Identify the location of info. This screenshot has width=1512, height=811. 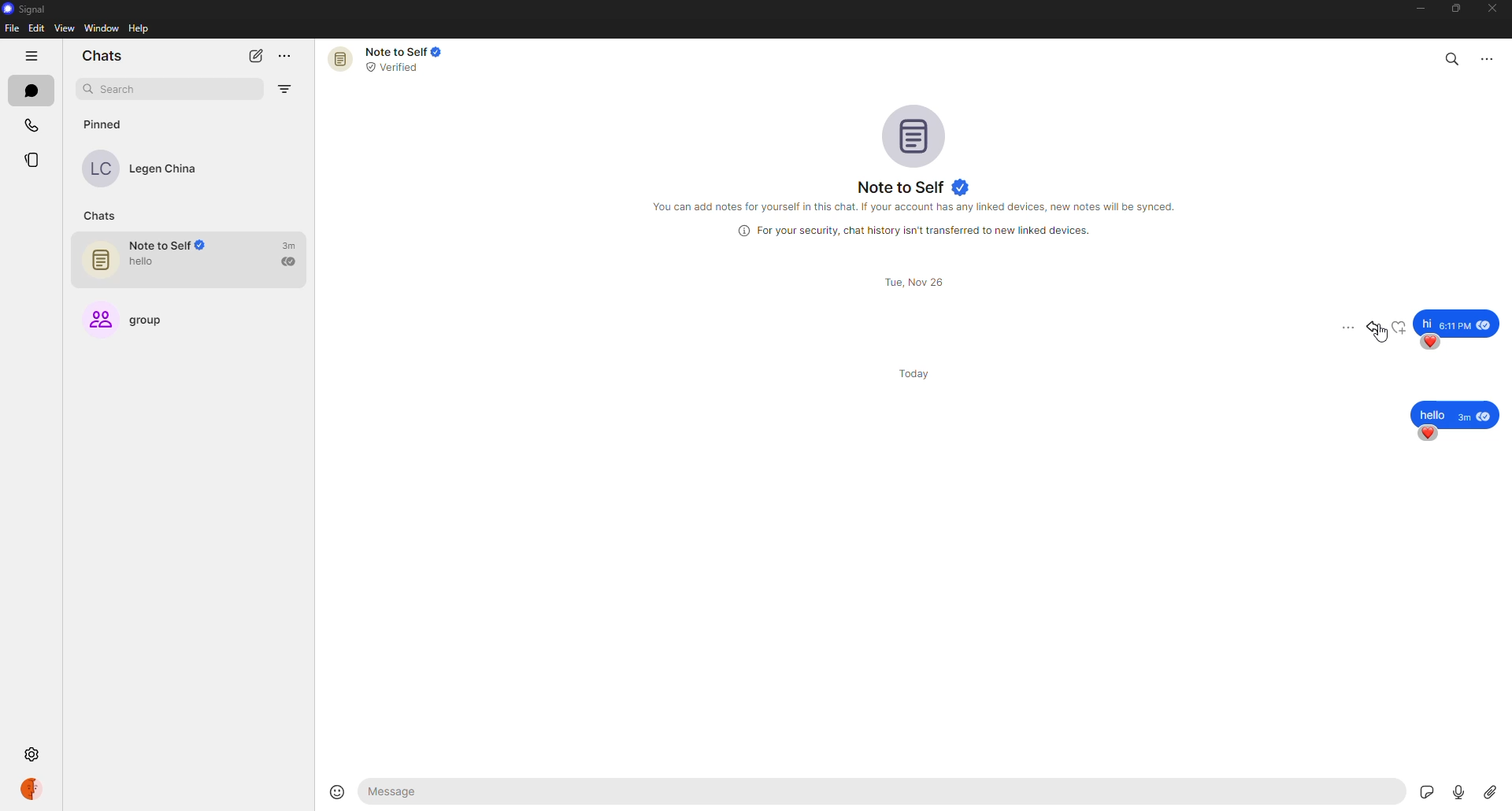
(919, 207).